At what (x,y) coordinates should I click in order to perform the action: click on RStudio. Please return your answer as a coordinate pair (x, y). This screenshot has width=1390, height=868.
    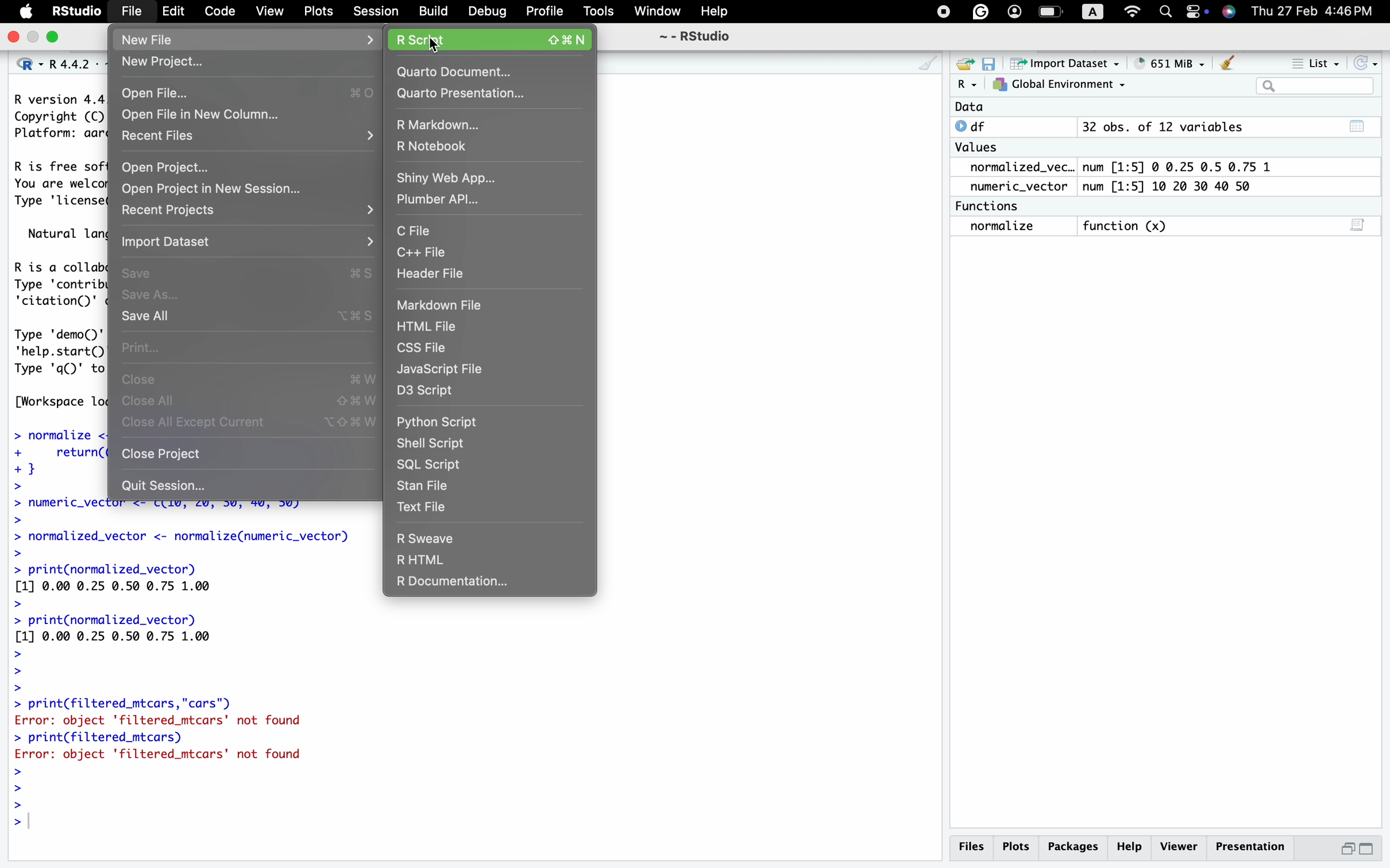
    Looking at the image, I should click on (78, 11).